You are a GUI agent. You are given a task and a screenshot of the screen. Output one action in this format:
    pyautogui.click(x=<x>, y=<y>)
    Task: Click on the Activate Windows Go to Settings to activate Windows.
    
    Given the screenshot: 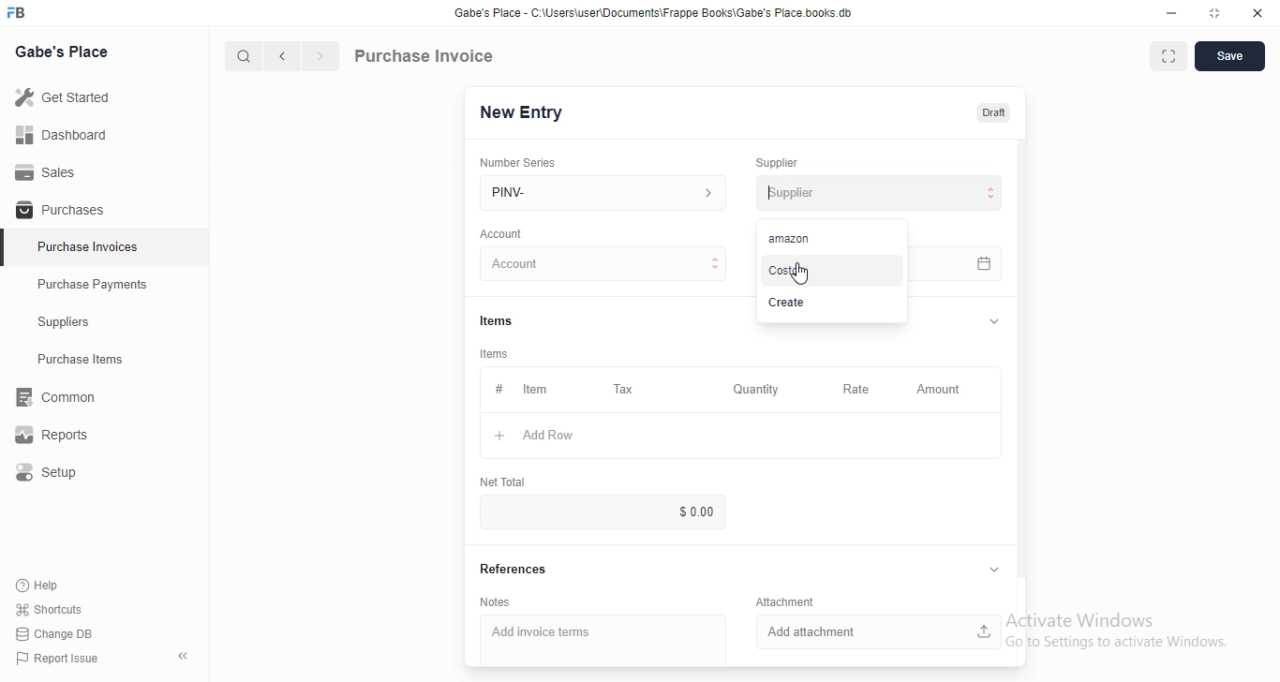 What is the action you would take?
    pyautogui.click(x=1117, y=630)
    